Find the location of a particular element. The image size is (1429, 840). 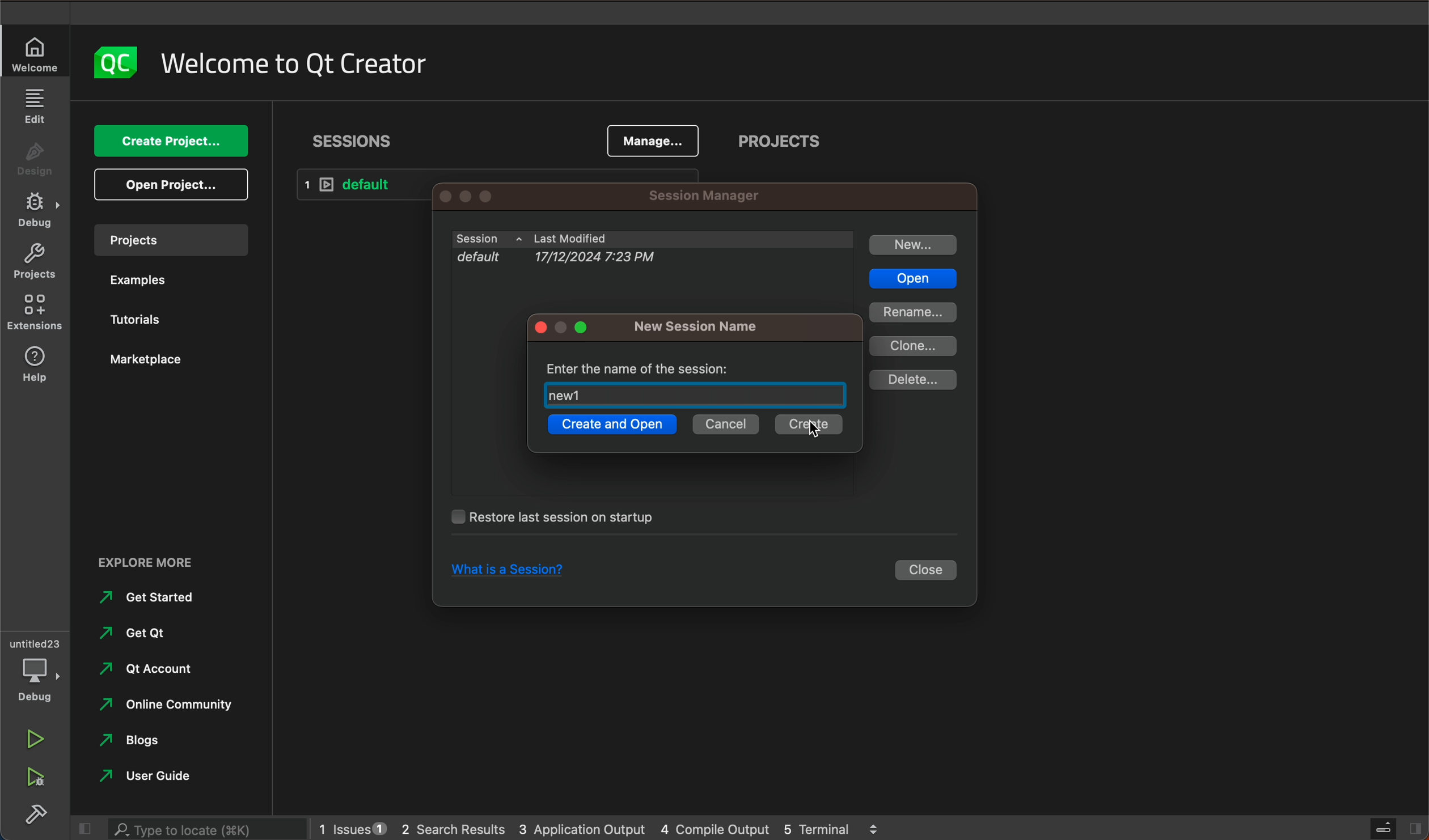

window controls is located at coordinates (483, 196).